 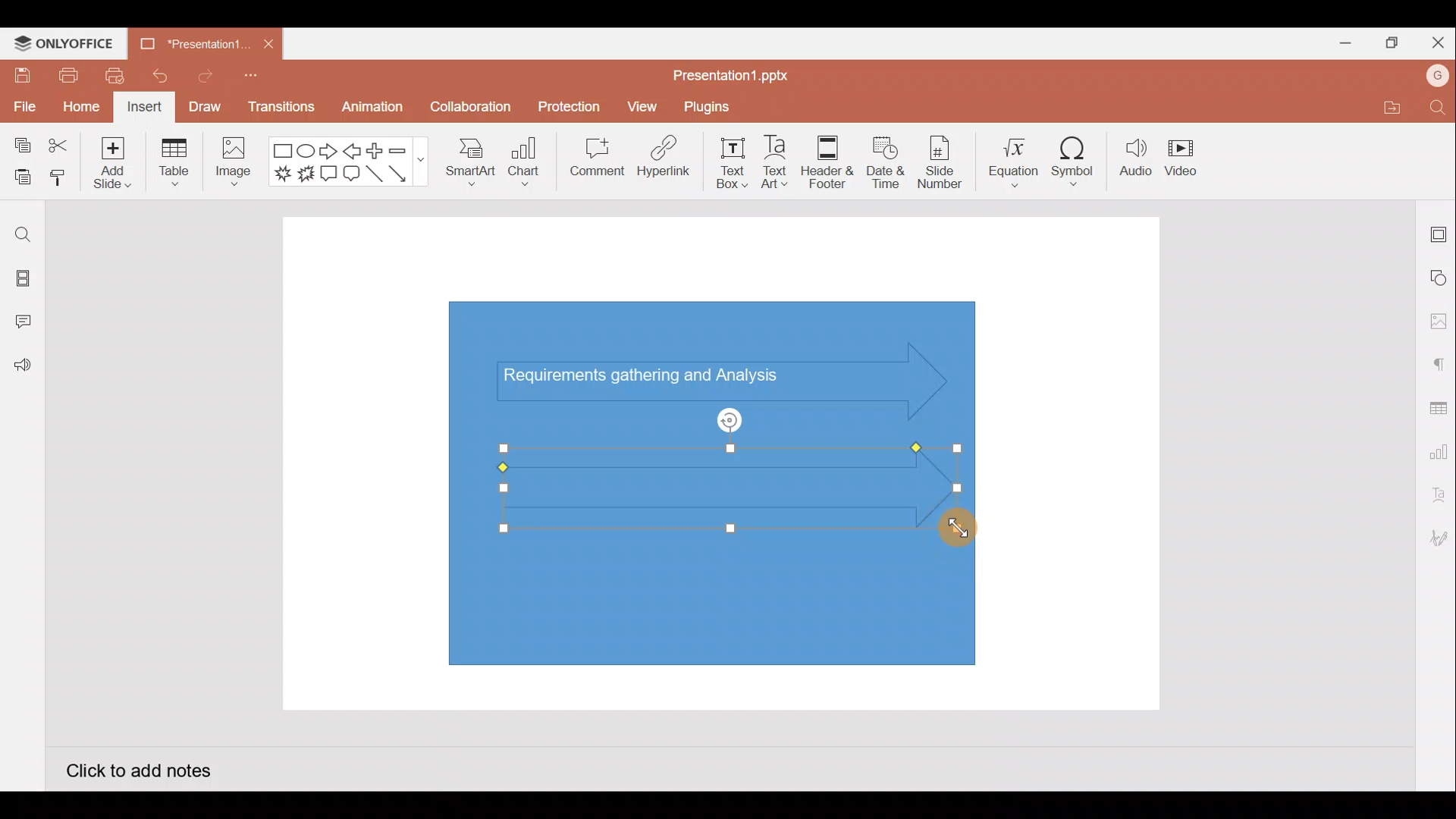 I want to click on Text box, so click(x=733, y=163).